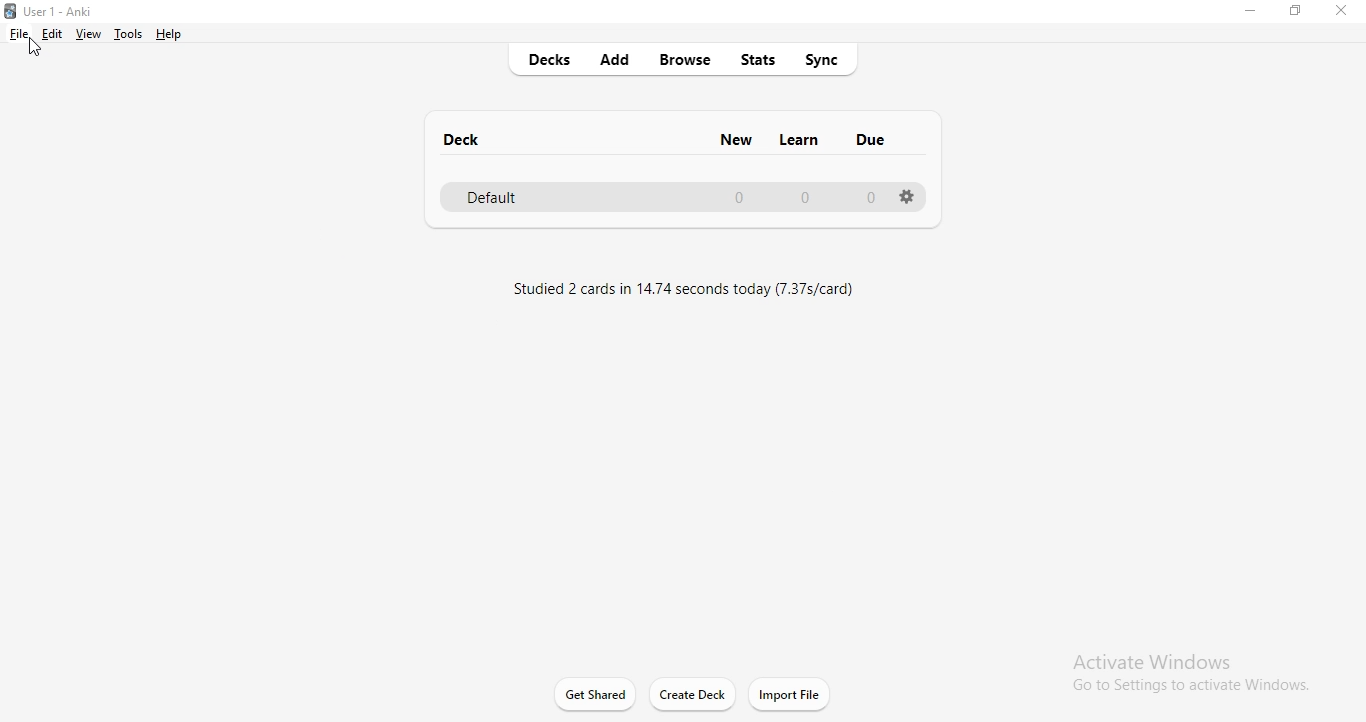 This screenshot has height=722, width=1366. What do you see at coordinates (762, 58) in the screenshot?
I see `stats` at bounding box center [762, 58].